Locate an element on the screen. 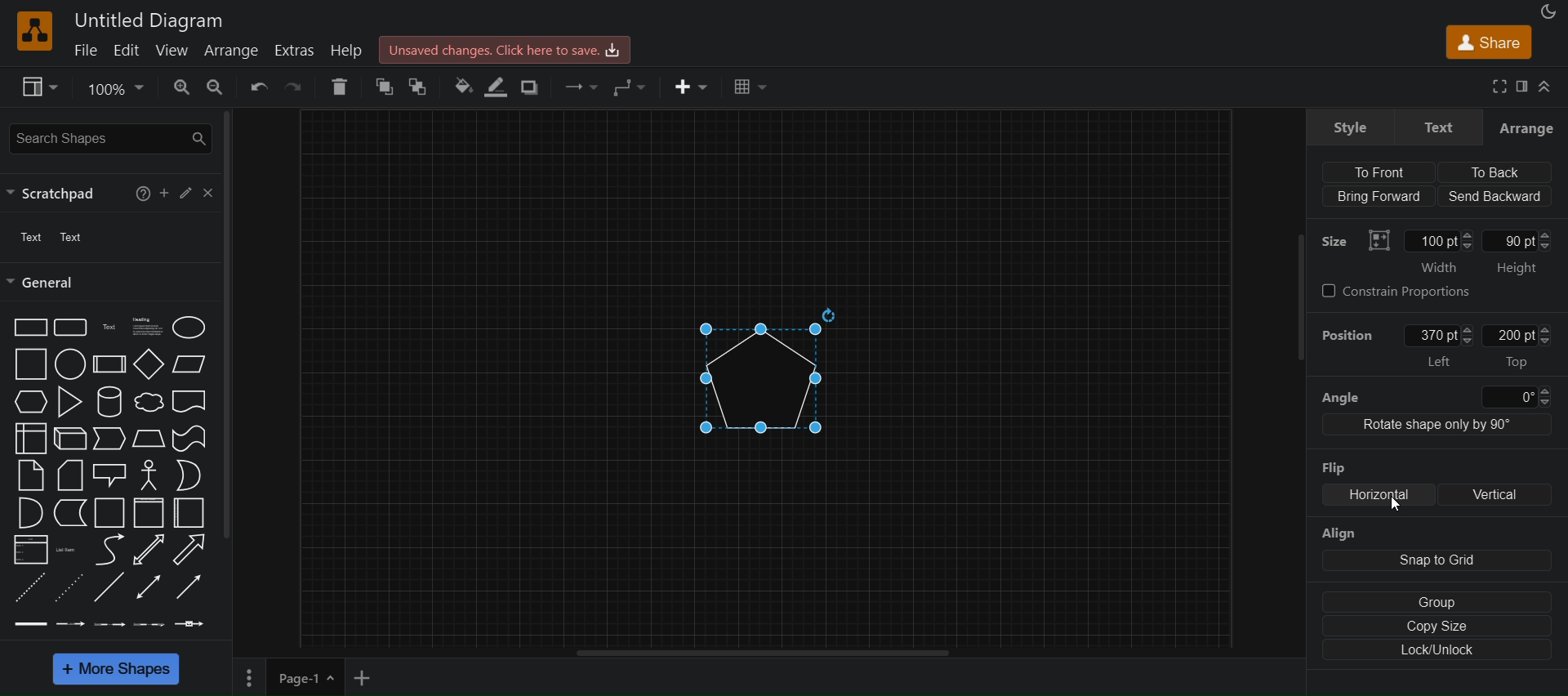 Image resolution: width=1568 pixels, height=696 pixels. Circle is located at coordinates (71, 364).